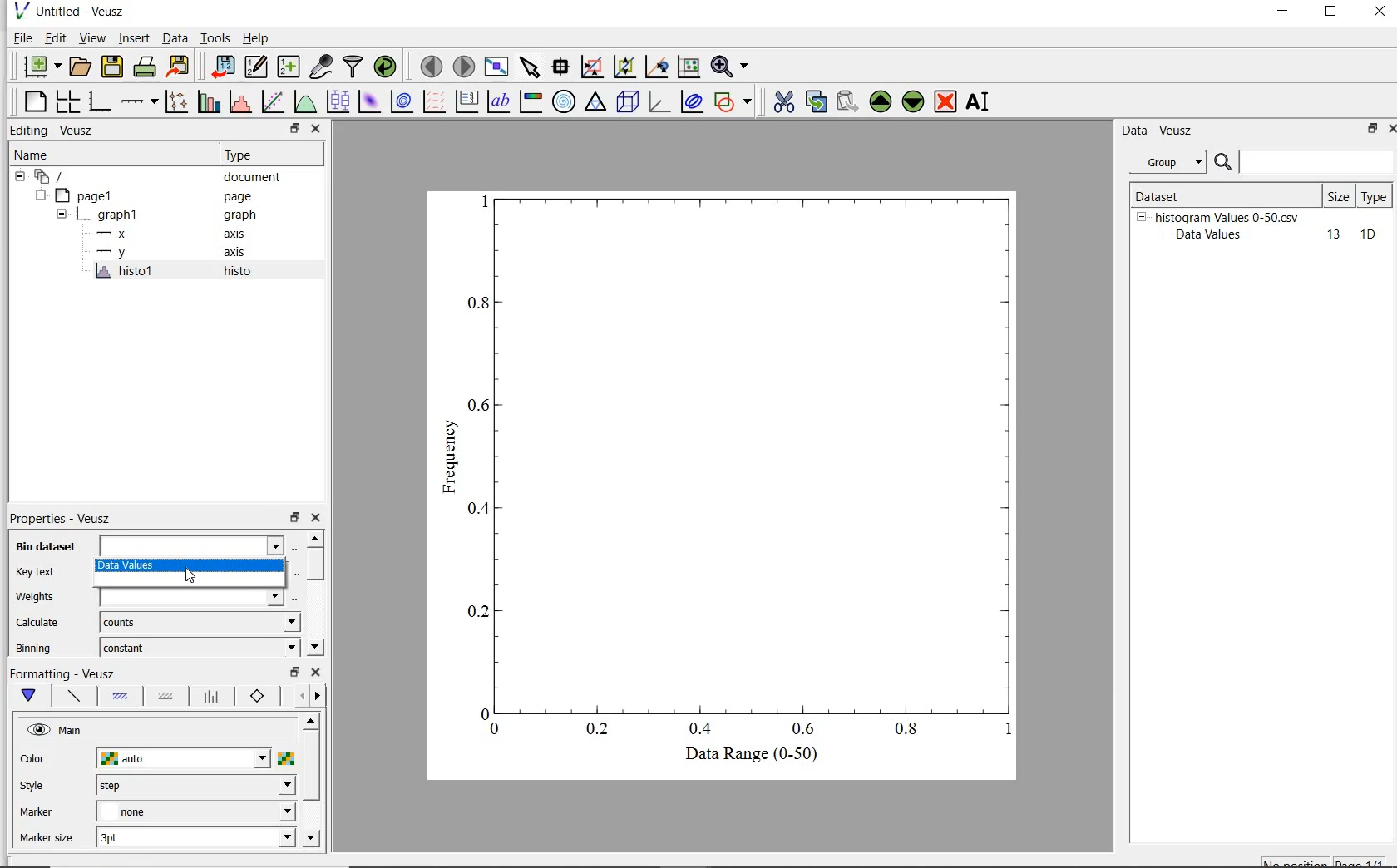 The height and width of the screenshot is (868, 1397). Describe the element at coordinates (193, 576) in the screenshot. I see `cursor` at that location.